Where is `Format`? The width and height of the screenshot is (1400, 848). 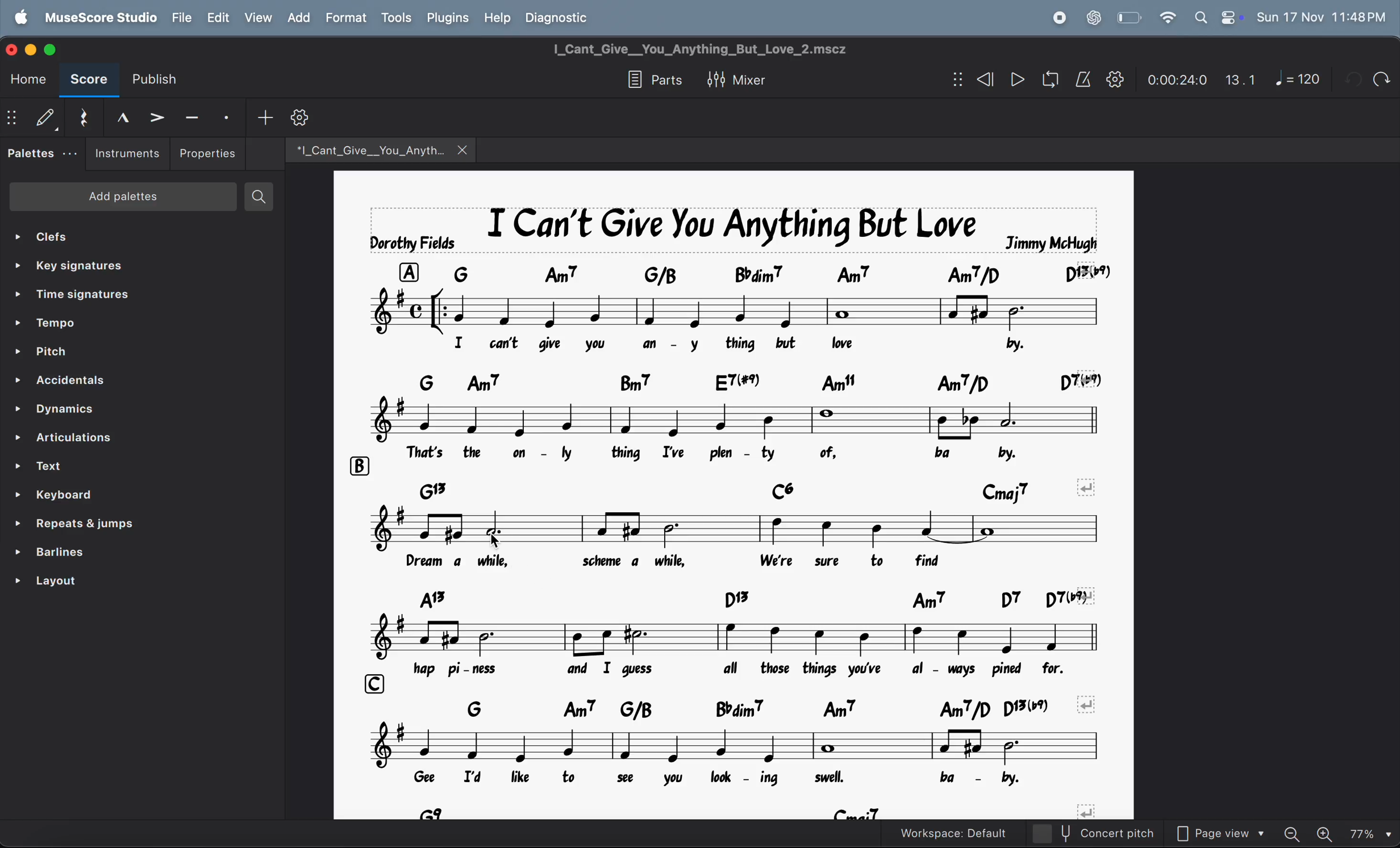 Format is located at coordinates (348, 16).